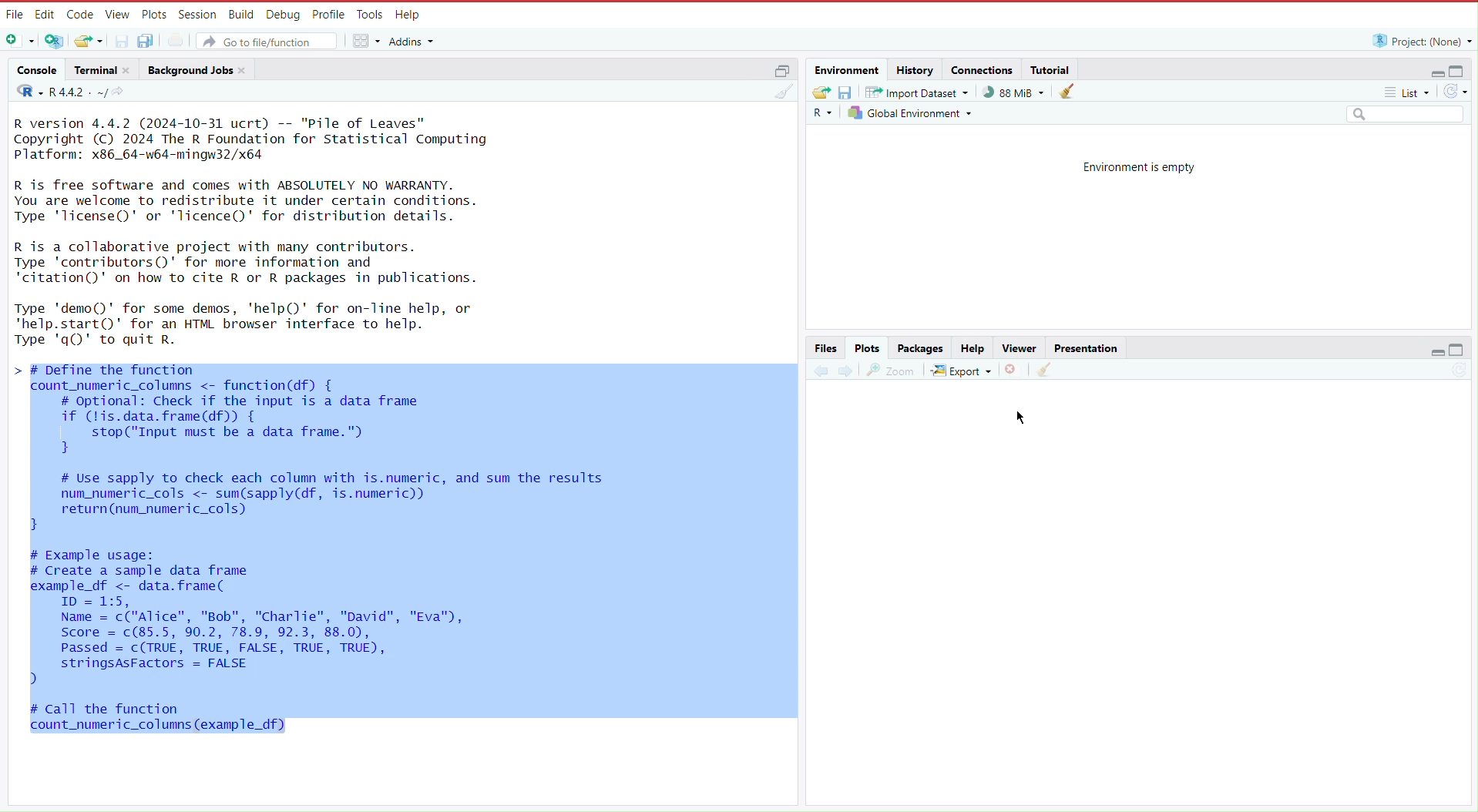 The width and height of the screenshot is (1478, 812). Describe the element at coordinates (1071, 92) in the screenshot. I see `Clear console (Ctrl +L)` at that location.